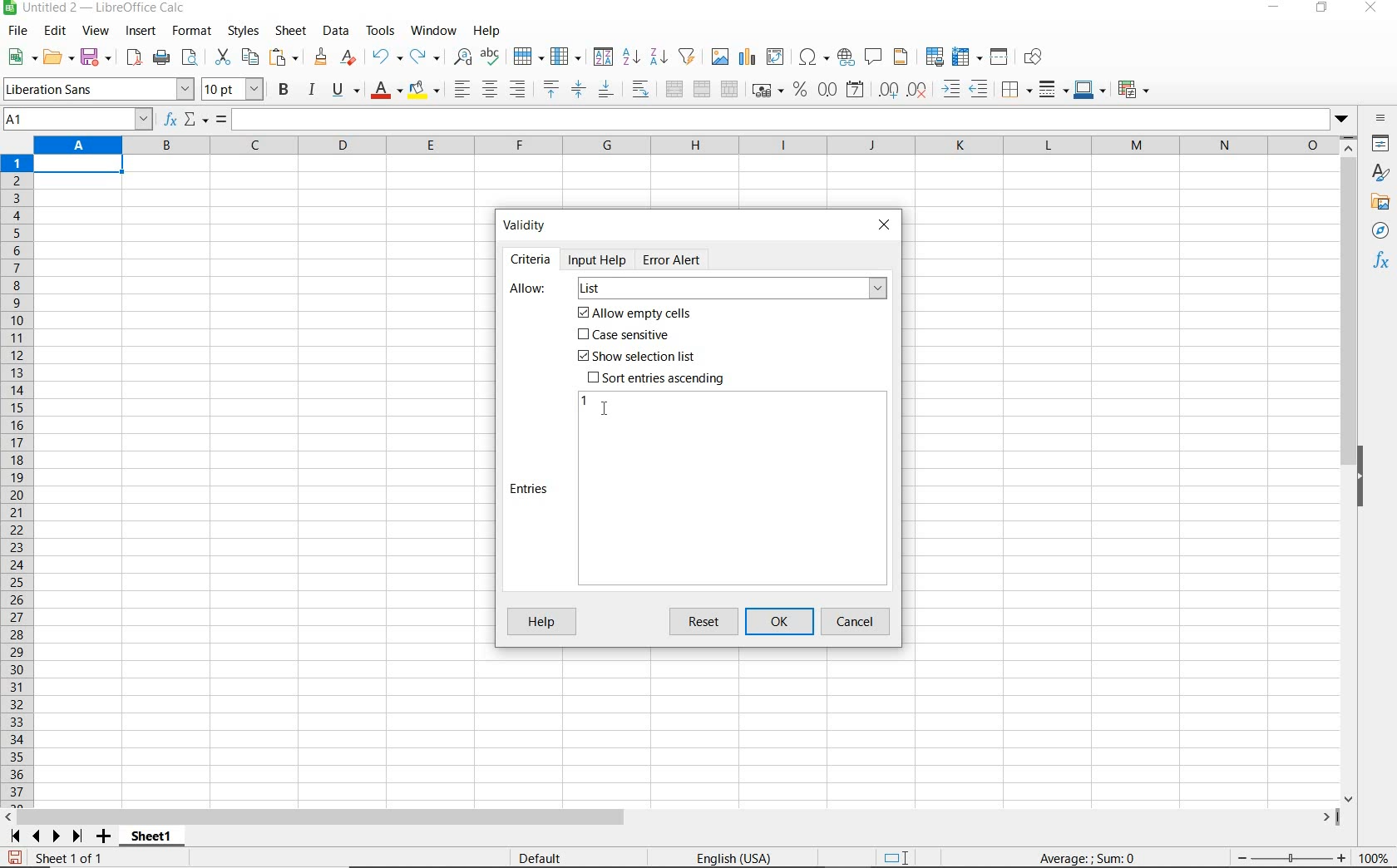 The height and width of the screenshot is (868, 1397). I want to click on border style, so click(1054, 89).